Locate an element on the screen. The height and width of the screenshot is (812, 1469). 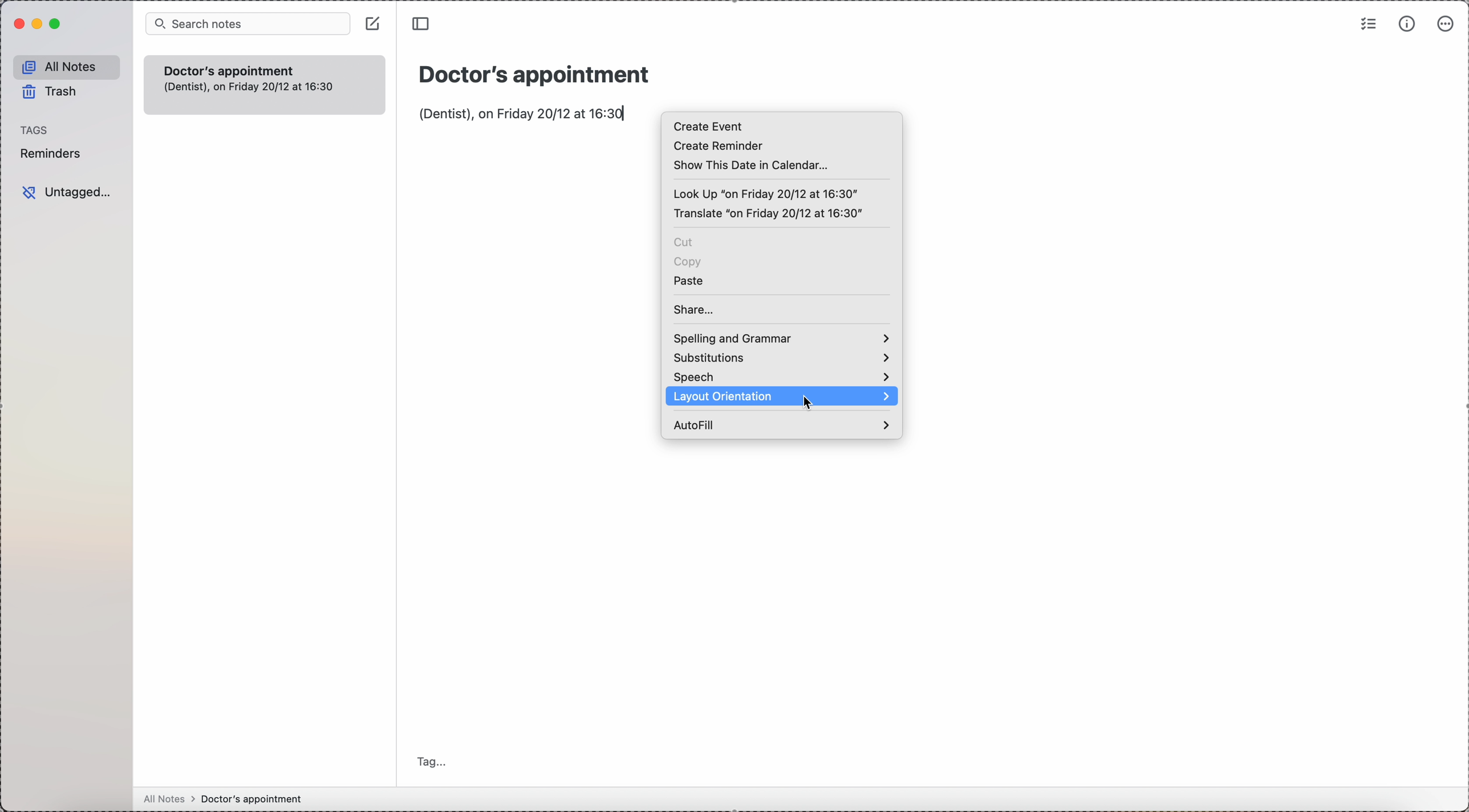
untagged is located at coordinates (65, 192).